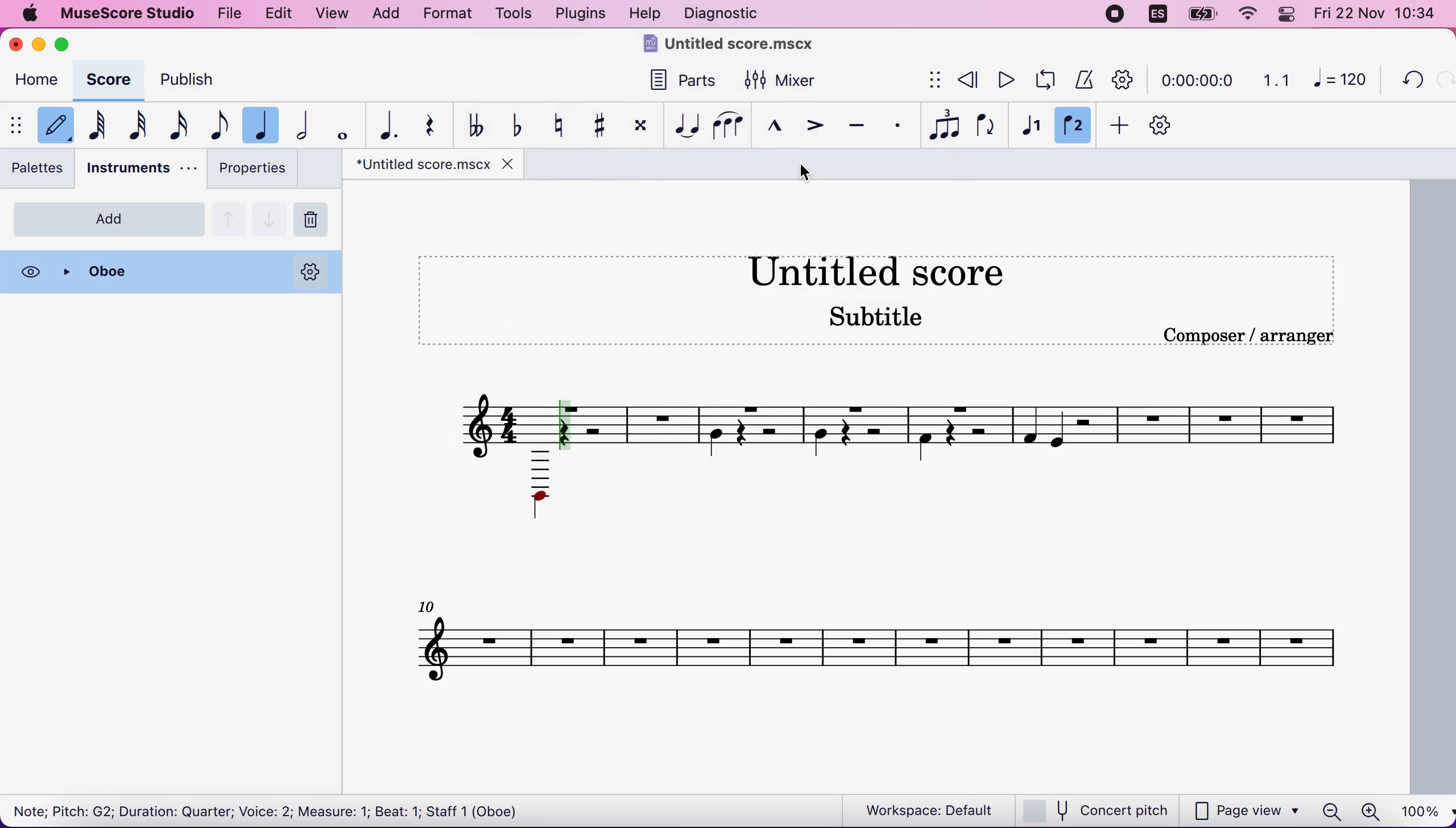 This screenshot has width=1456, height=828. What do you see at coordinates (56, 123) in the screenshot?
I see `default` at bounding box center [56, 123].